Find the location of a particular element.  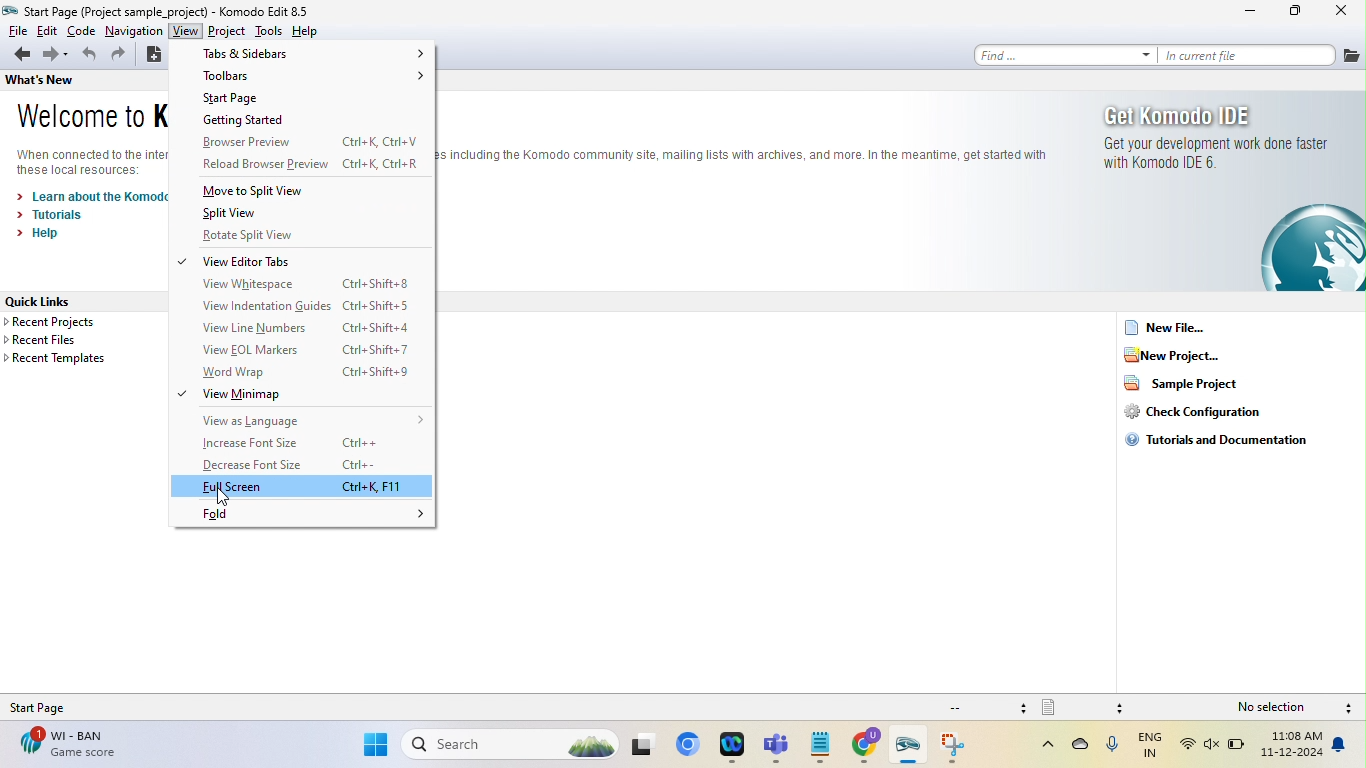

apps on taskbar is located at coordinates (647, 745).